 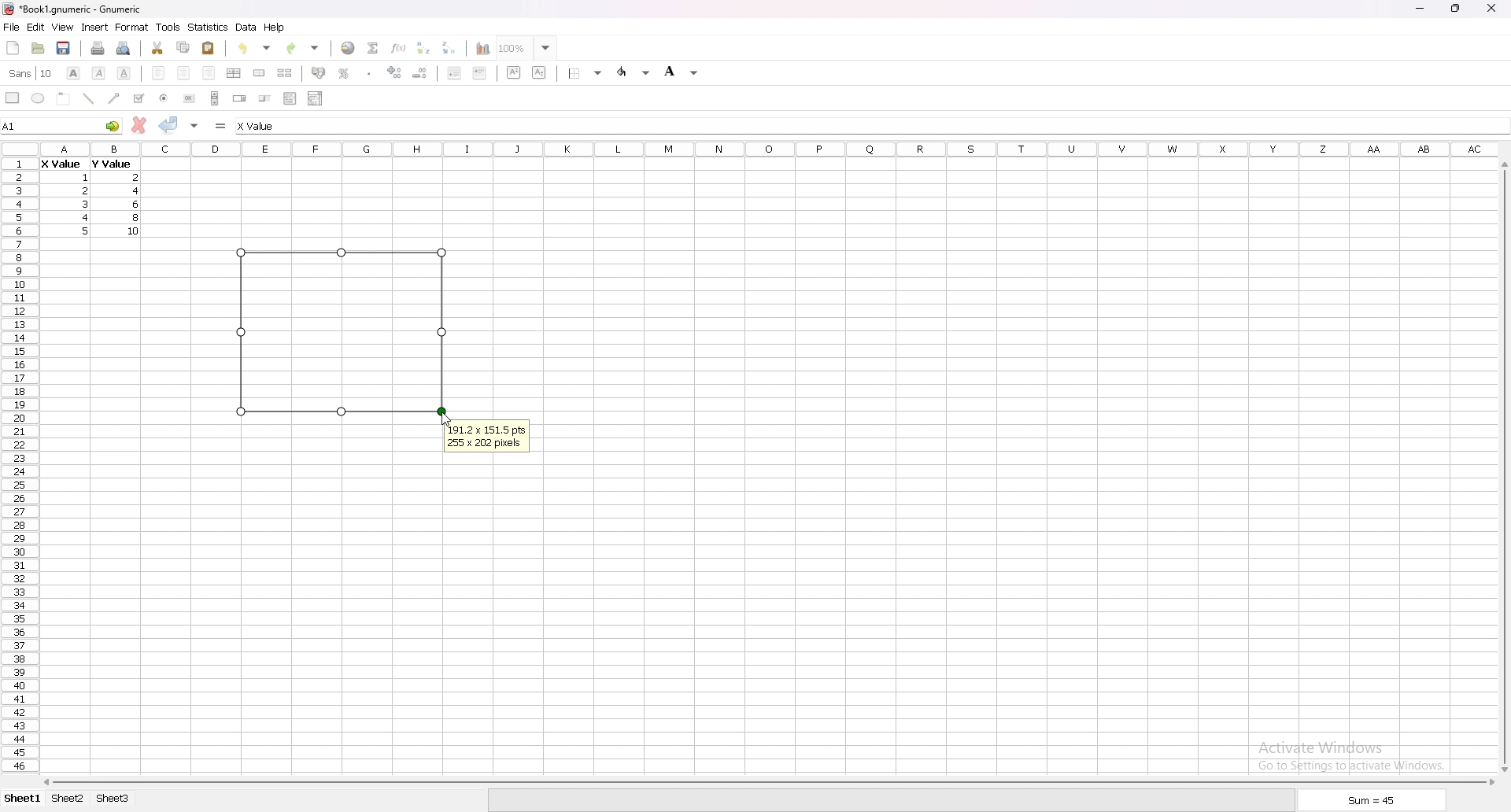 I want to click on decrease indent, so click(x=455, y=72).